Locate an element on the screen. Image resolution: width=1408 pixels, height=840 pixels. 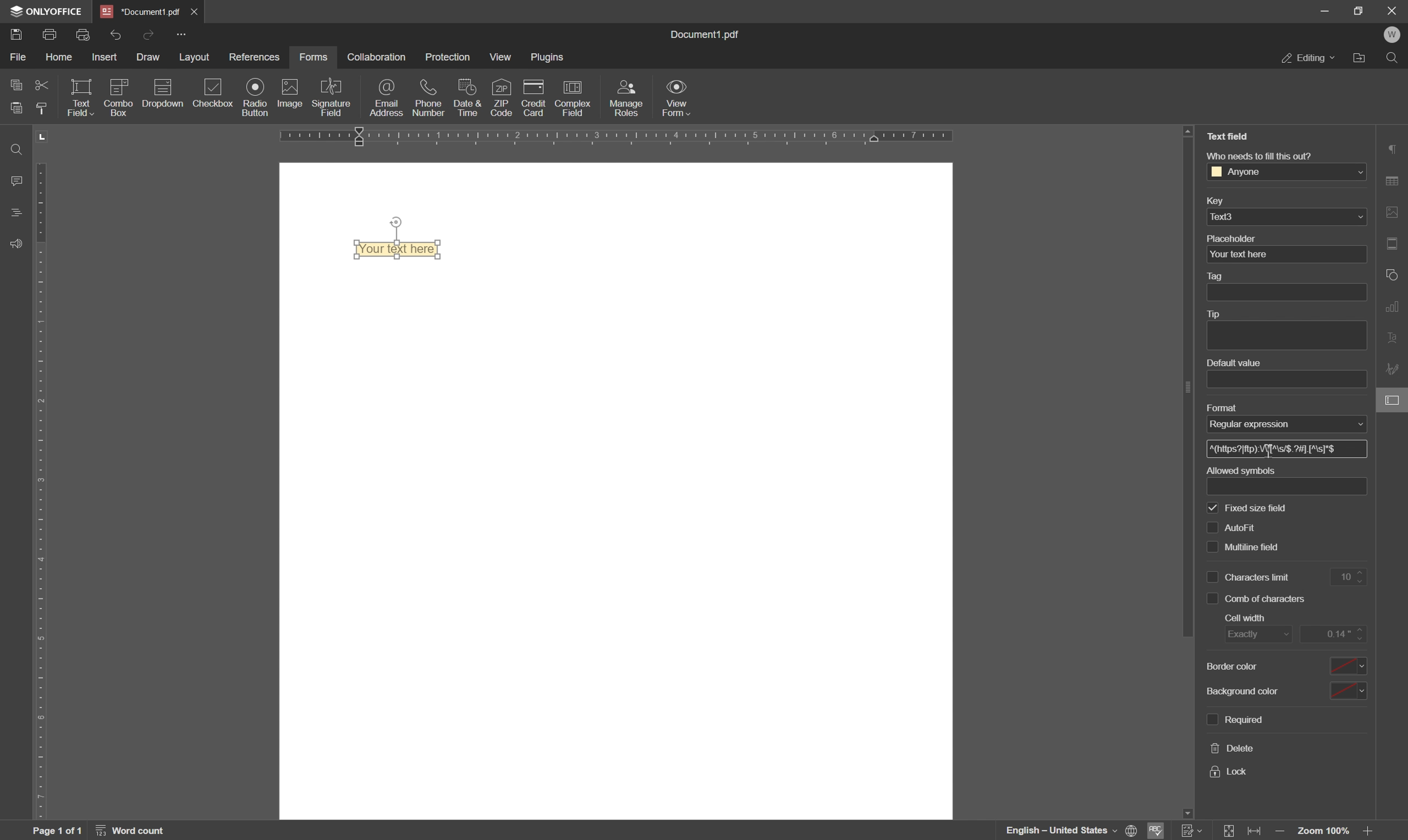
phone number is located at coordinates (430, 97).